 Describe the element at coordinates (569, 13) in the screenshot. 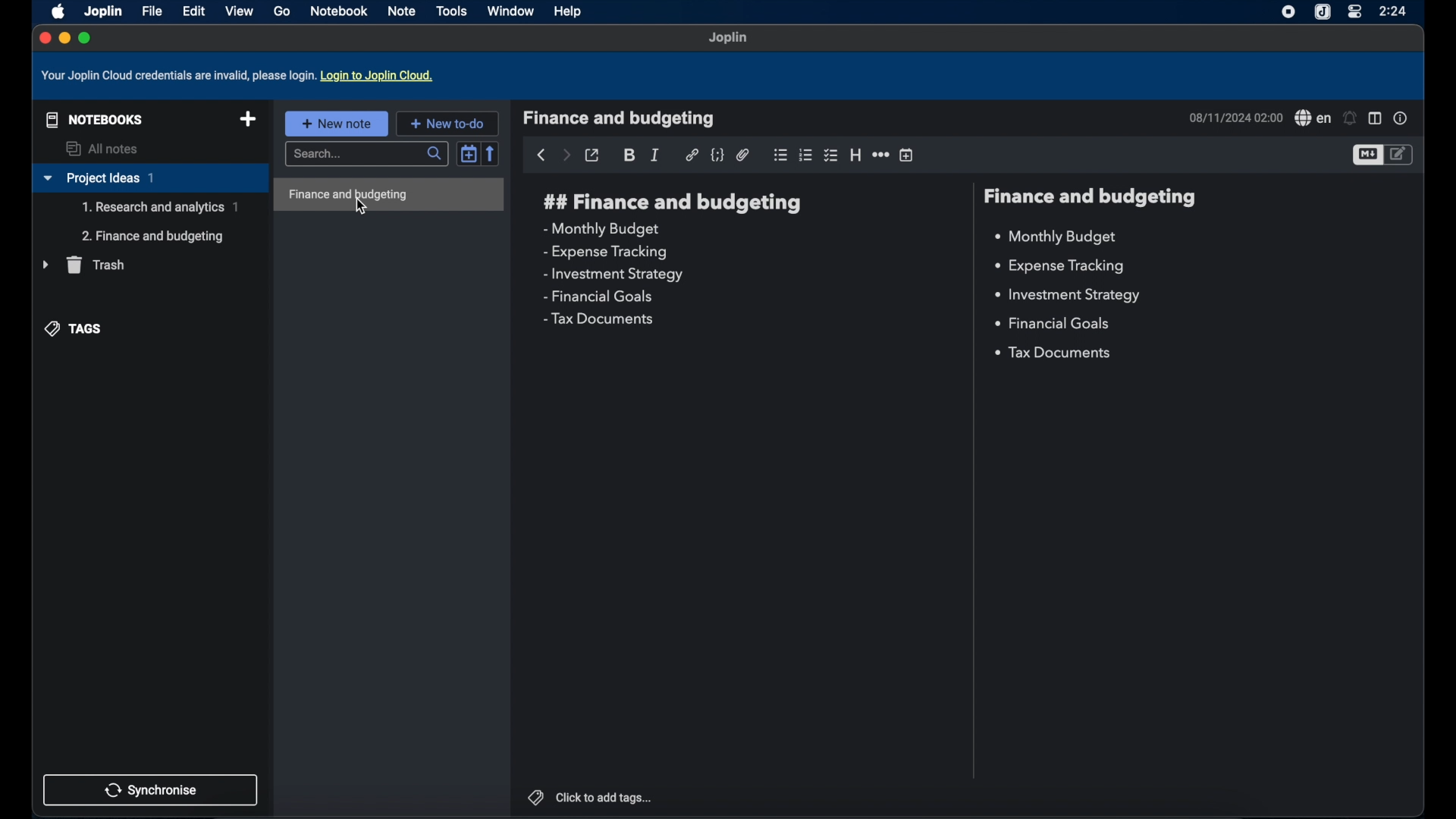

I see `help` at that location.